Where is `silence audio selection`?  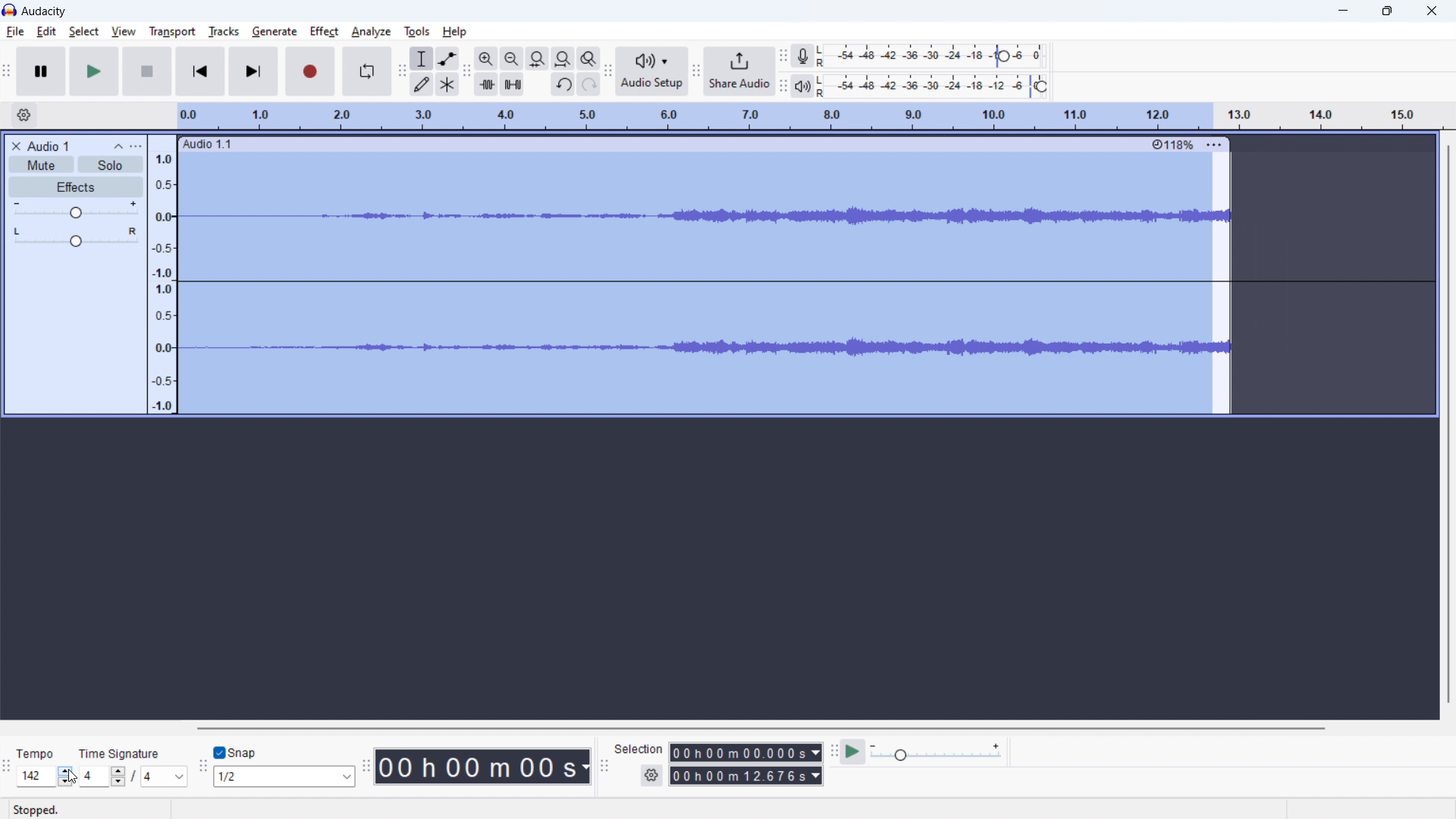
silence audio selection is located at coordinates (512, 84).